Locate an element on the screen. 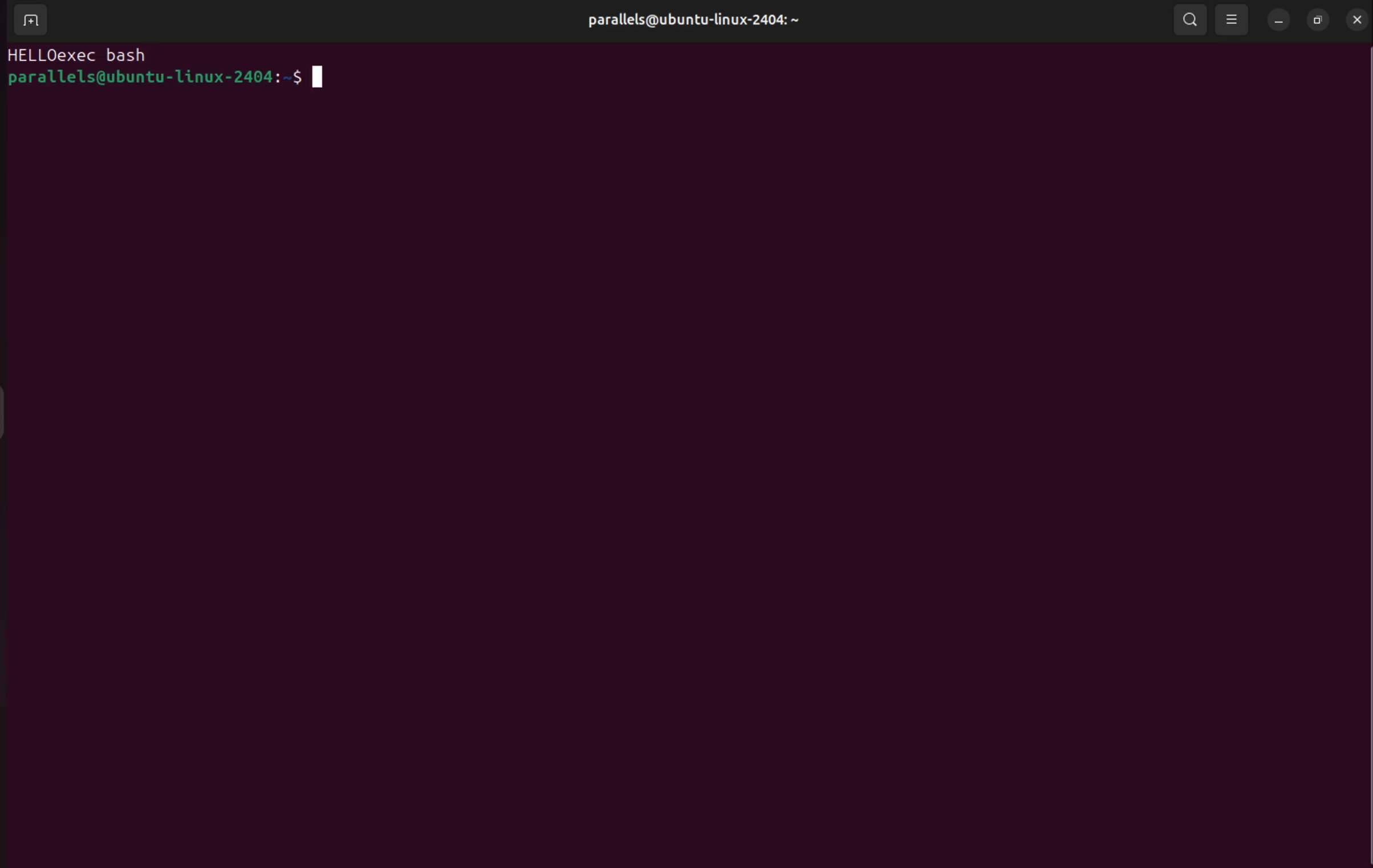  bash prompt is located at coordinates (30, 56).